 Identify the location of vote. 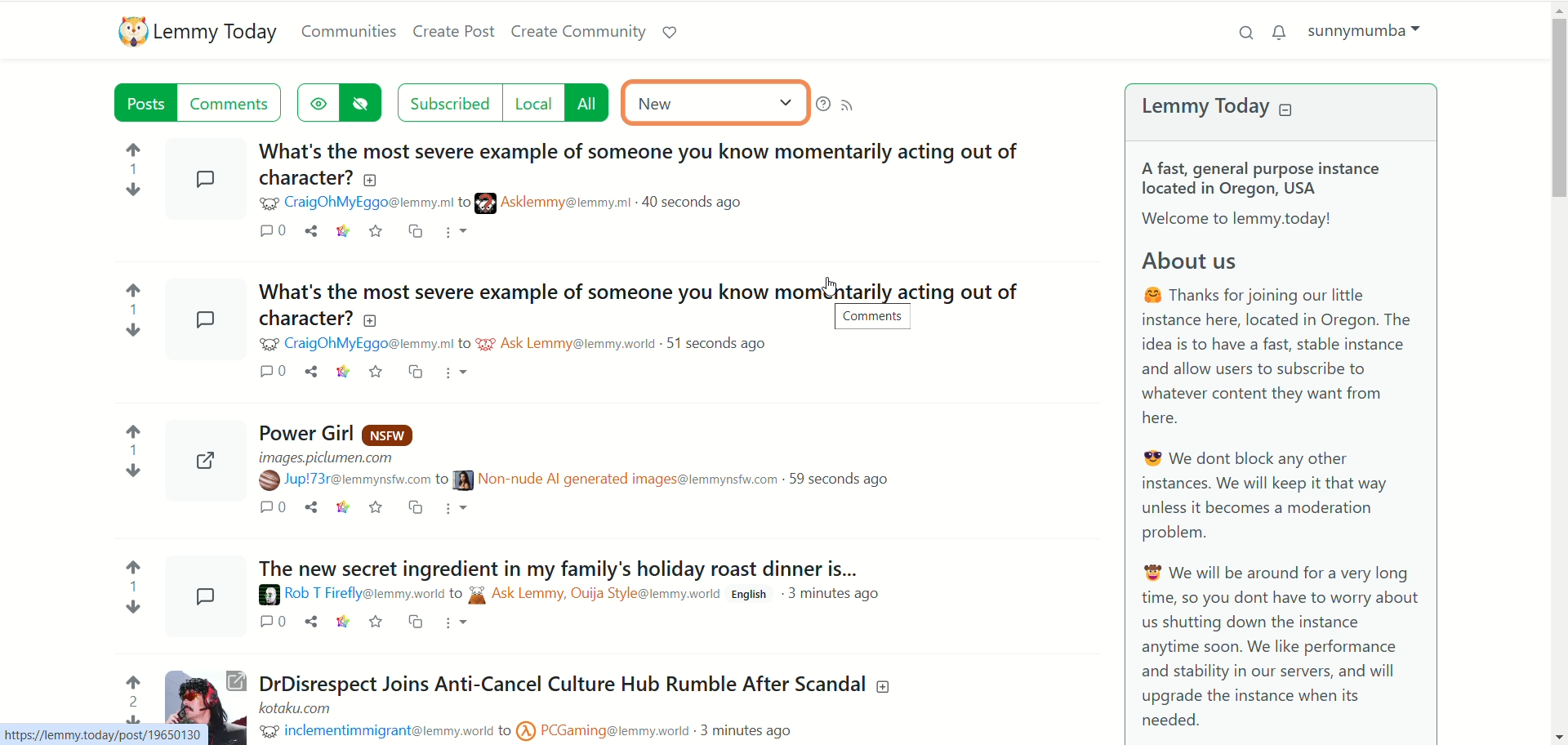
(128, 164).